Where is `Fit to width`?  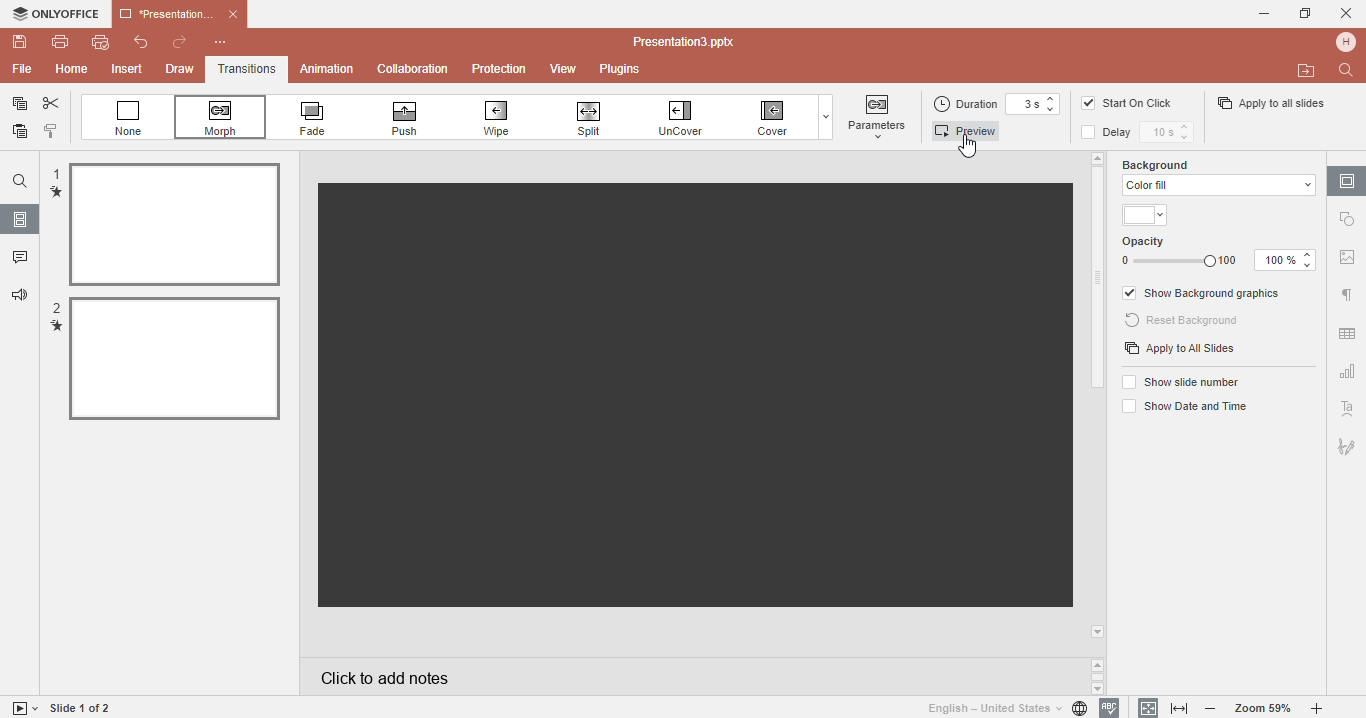 Fit to width is located at coordinates (1181, 709).